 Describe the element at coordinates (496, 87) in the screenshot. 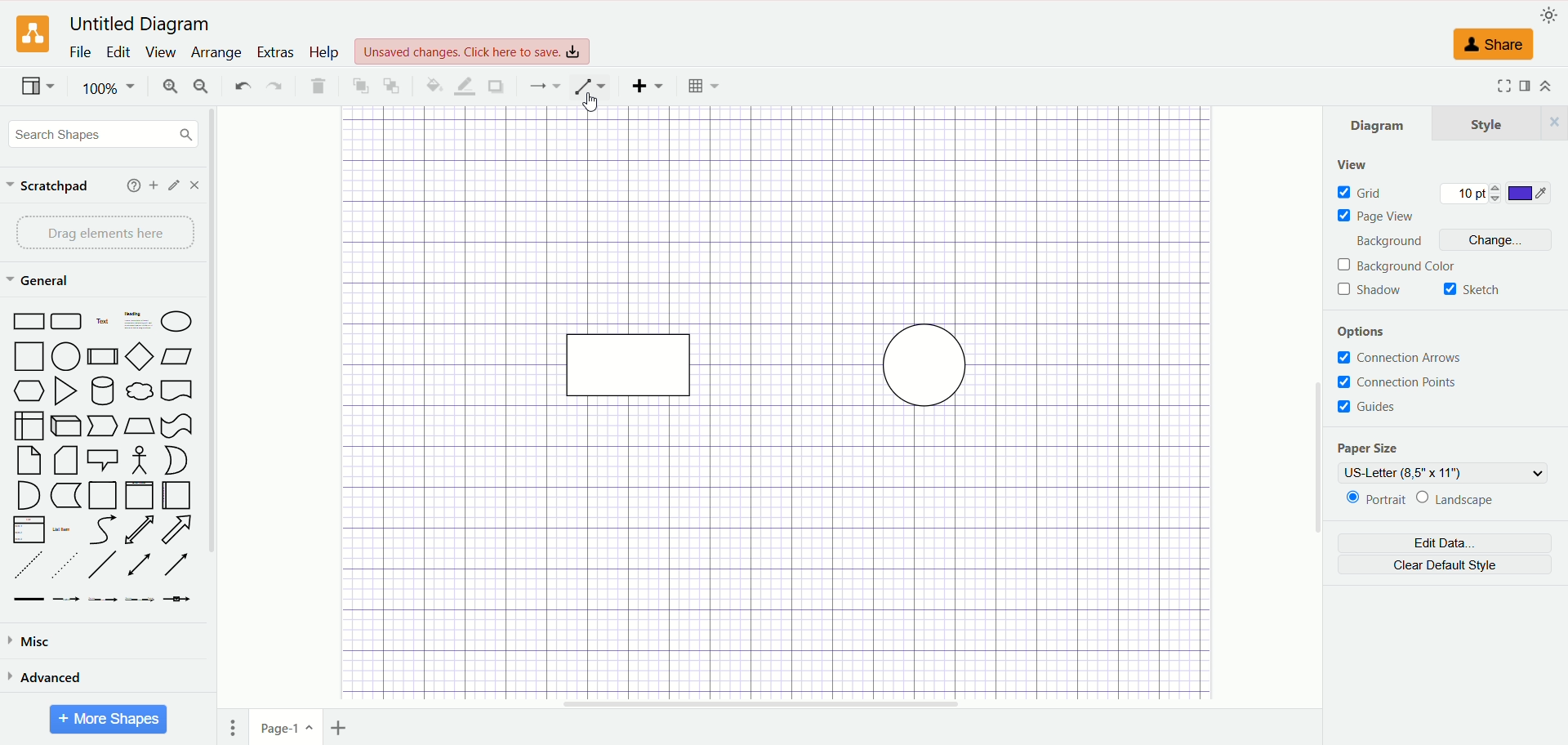

I see `shadow` at that location.